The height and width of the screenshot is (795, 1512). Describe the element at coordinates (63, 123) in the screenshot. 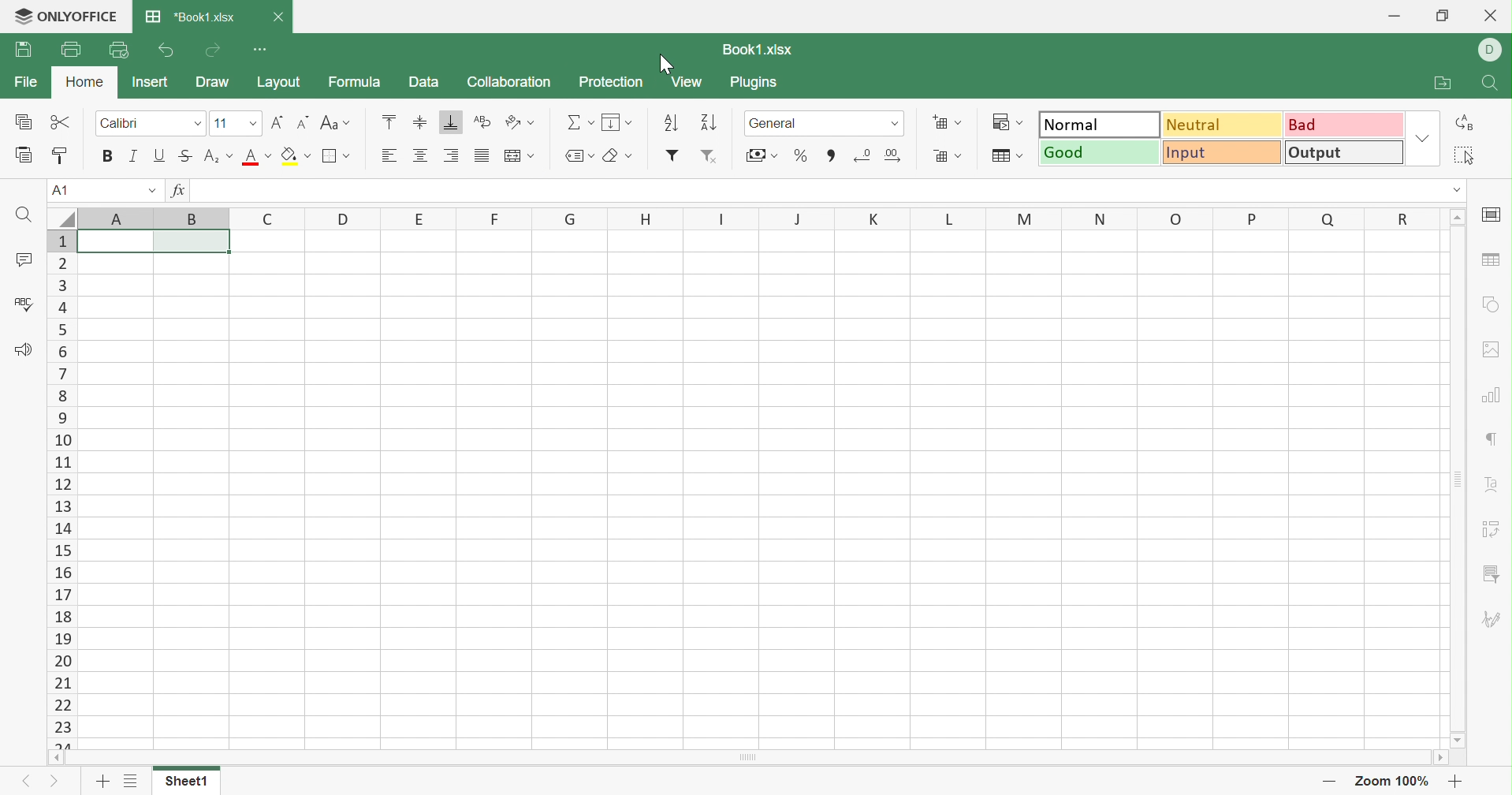

I see `Cut` at that location.